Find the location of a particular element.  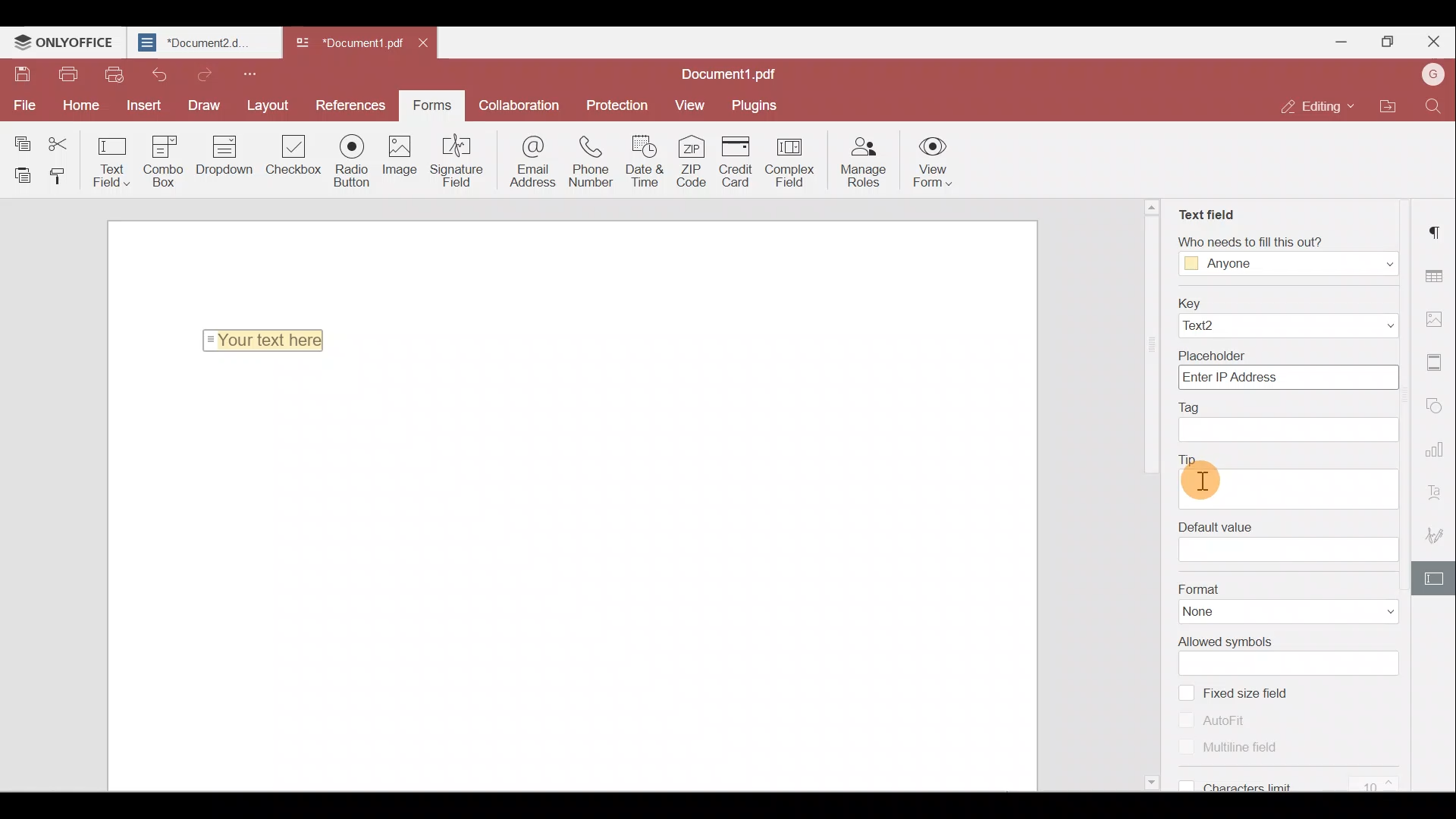

Find is located at coordinates (1432, 108).